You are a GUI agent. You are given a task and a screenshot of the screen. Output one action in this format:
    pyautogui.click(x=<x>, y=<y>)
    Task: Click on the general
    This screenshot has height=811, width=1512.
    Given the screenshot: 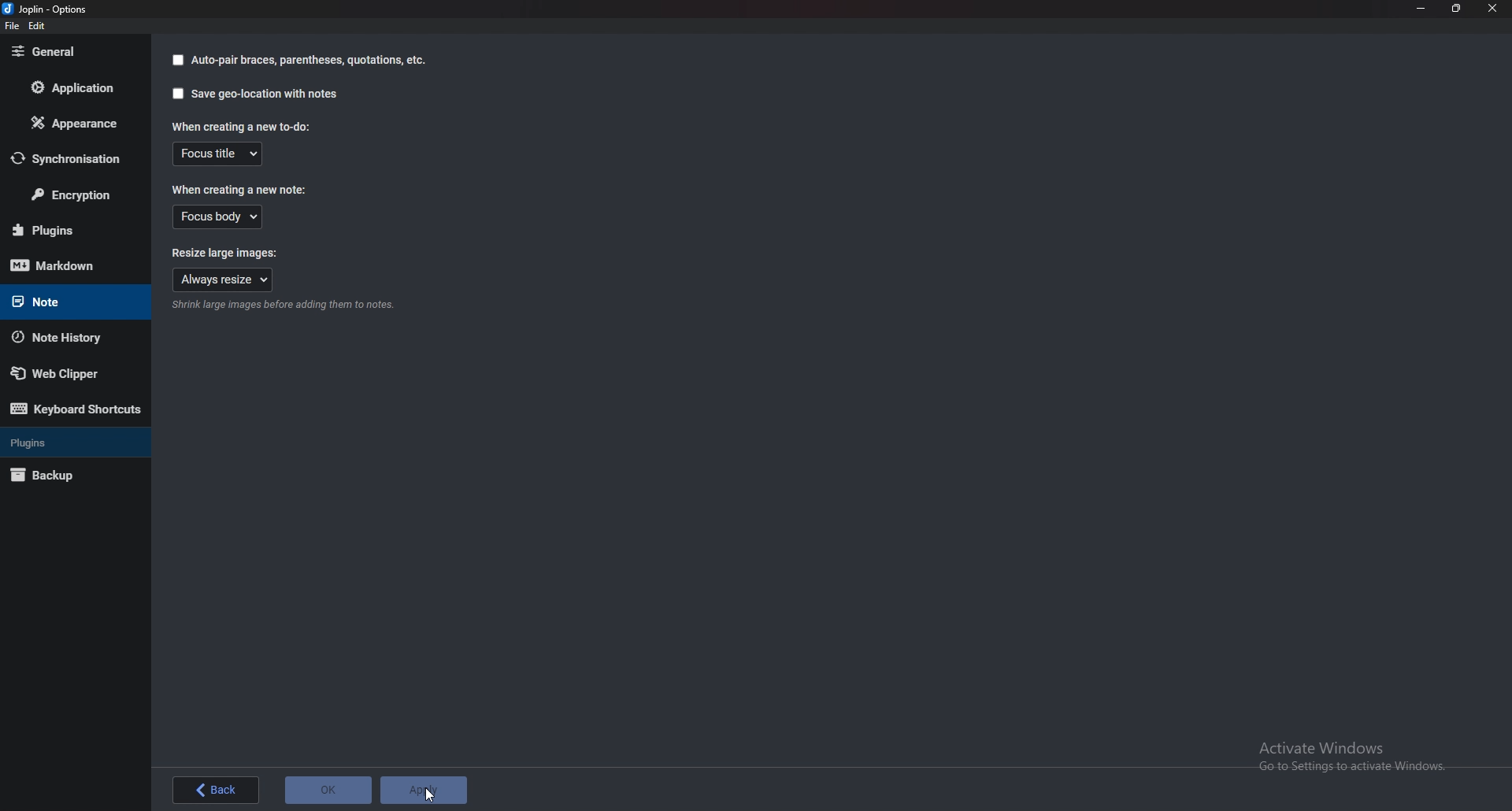 What is the action you would take?
    pyautogui.click(x=69, y=53)
    